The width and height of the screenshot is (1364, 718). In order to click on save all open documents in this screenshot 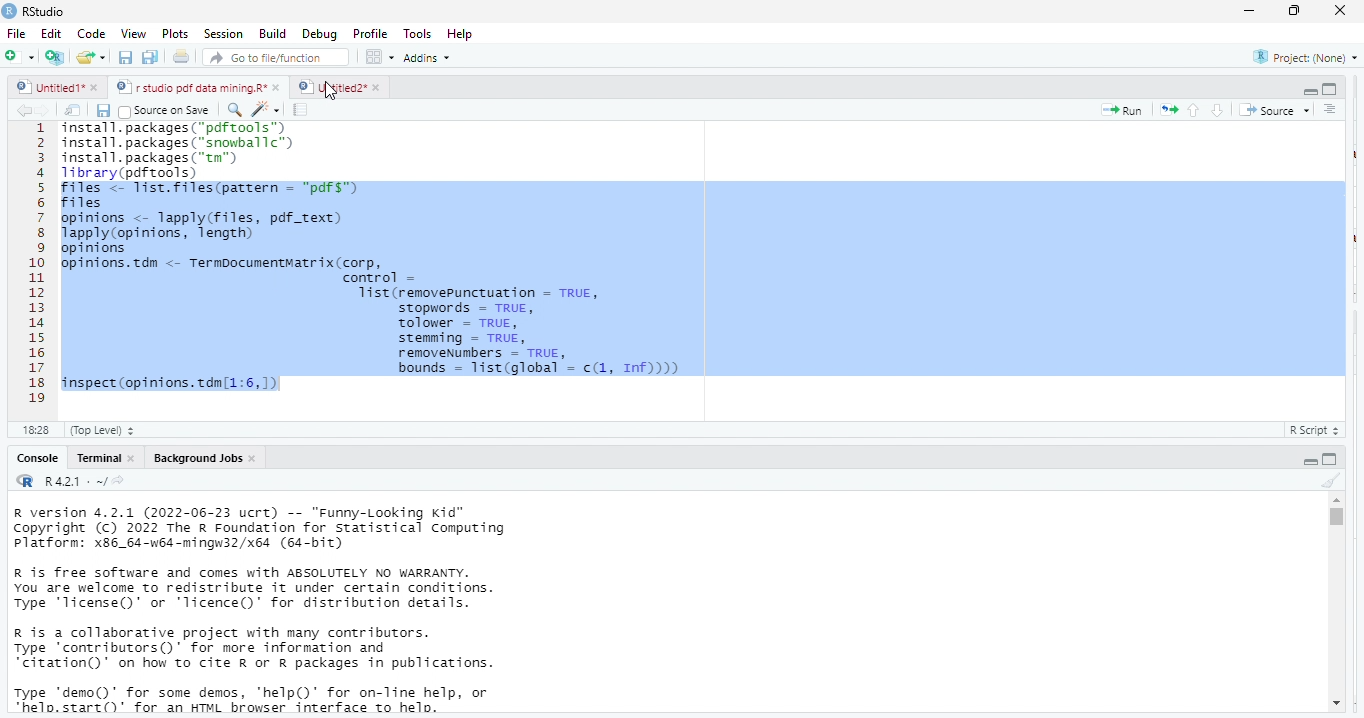, I will do `click(151, 58)`.